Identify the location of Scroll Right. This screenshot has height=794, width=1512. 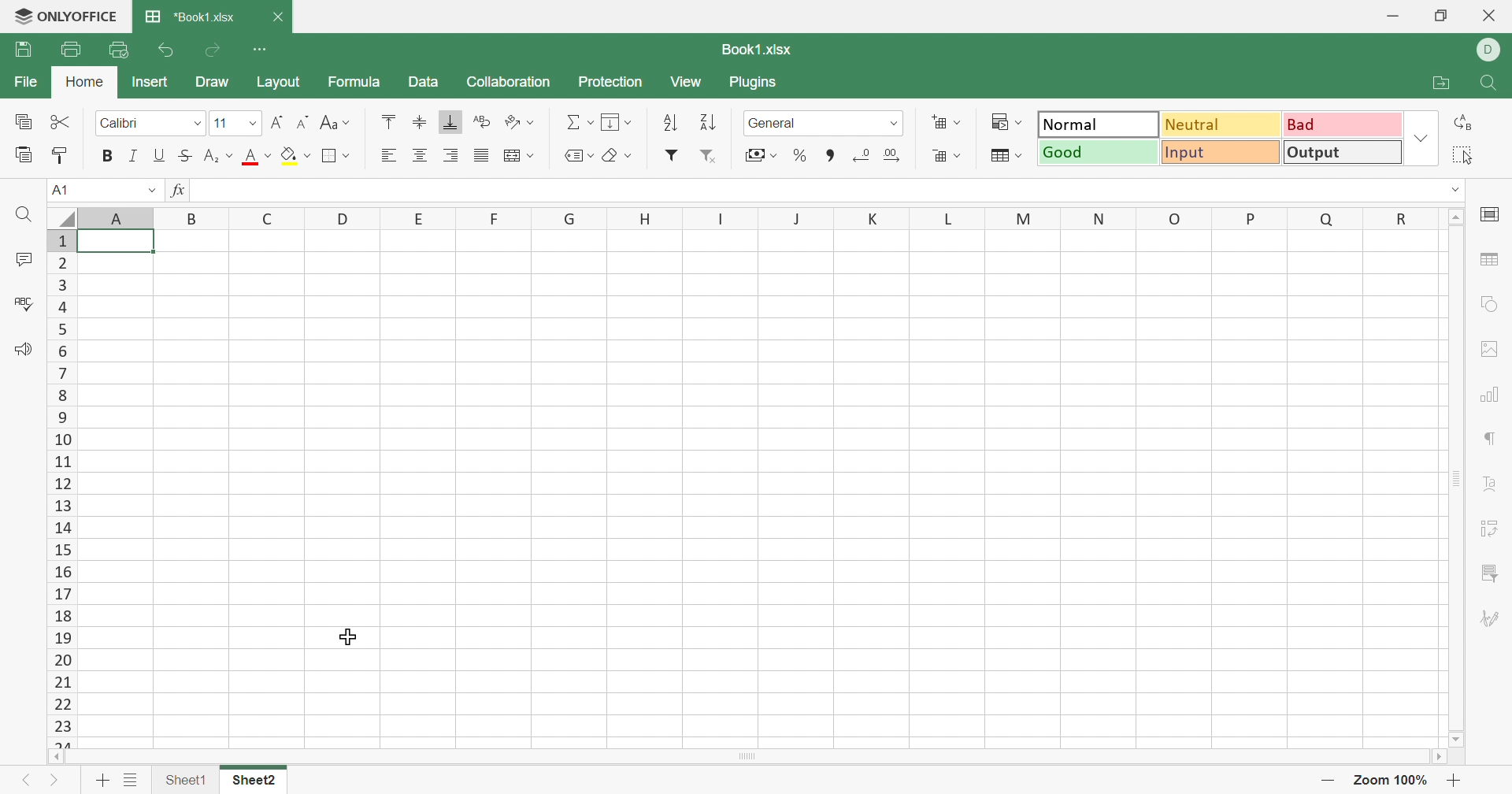
(1437, 756).